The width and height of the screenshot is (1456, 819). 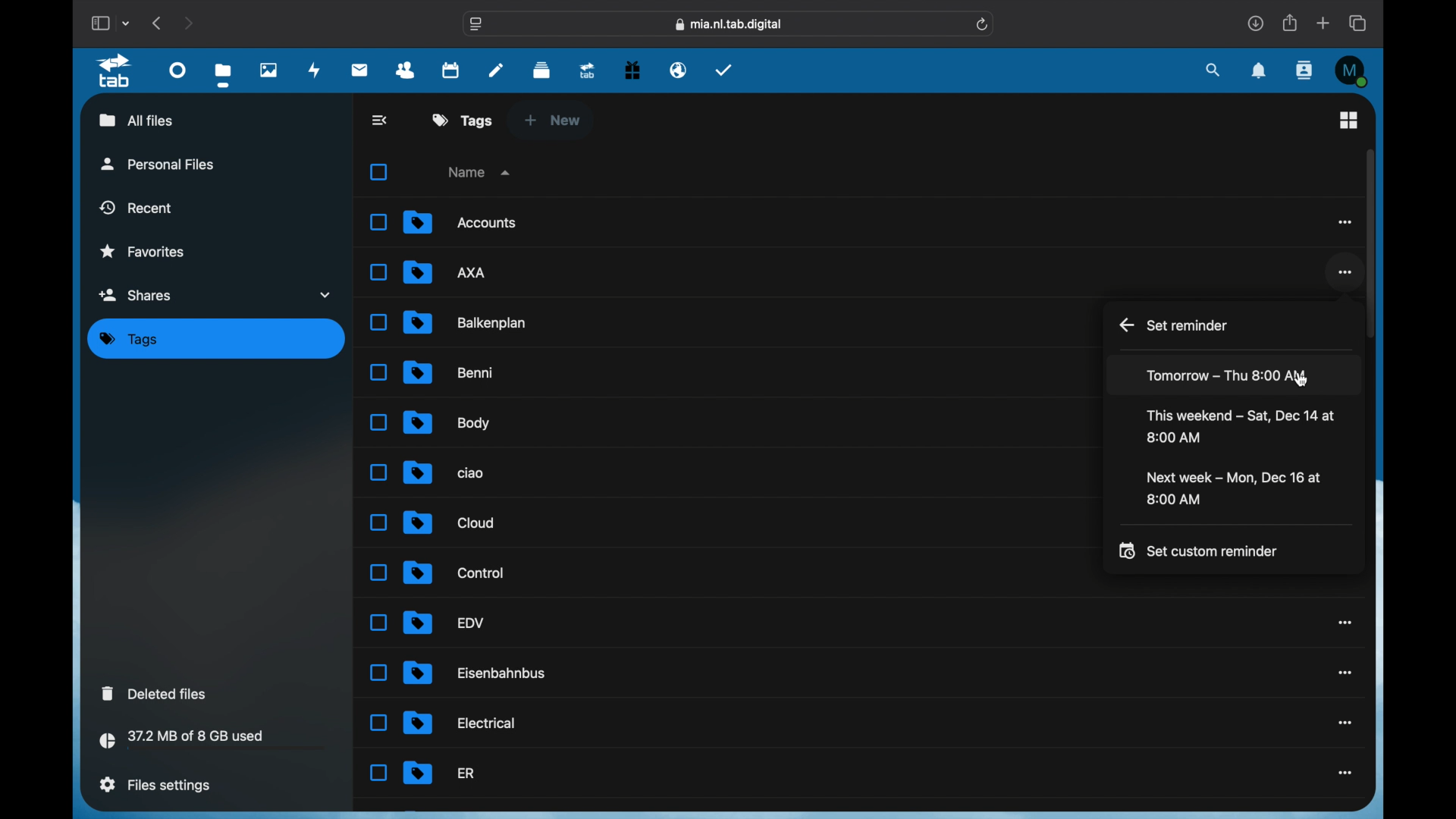 I want to click on recent, so click(x=137, y=207).